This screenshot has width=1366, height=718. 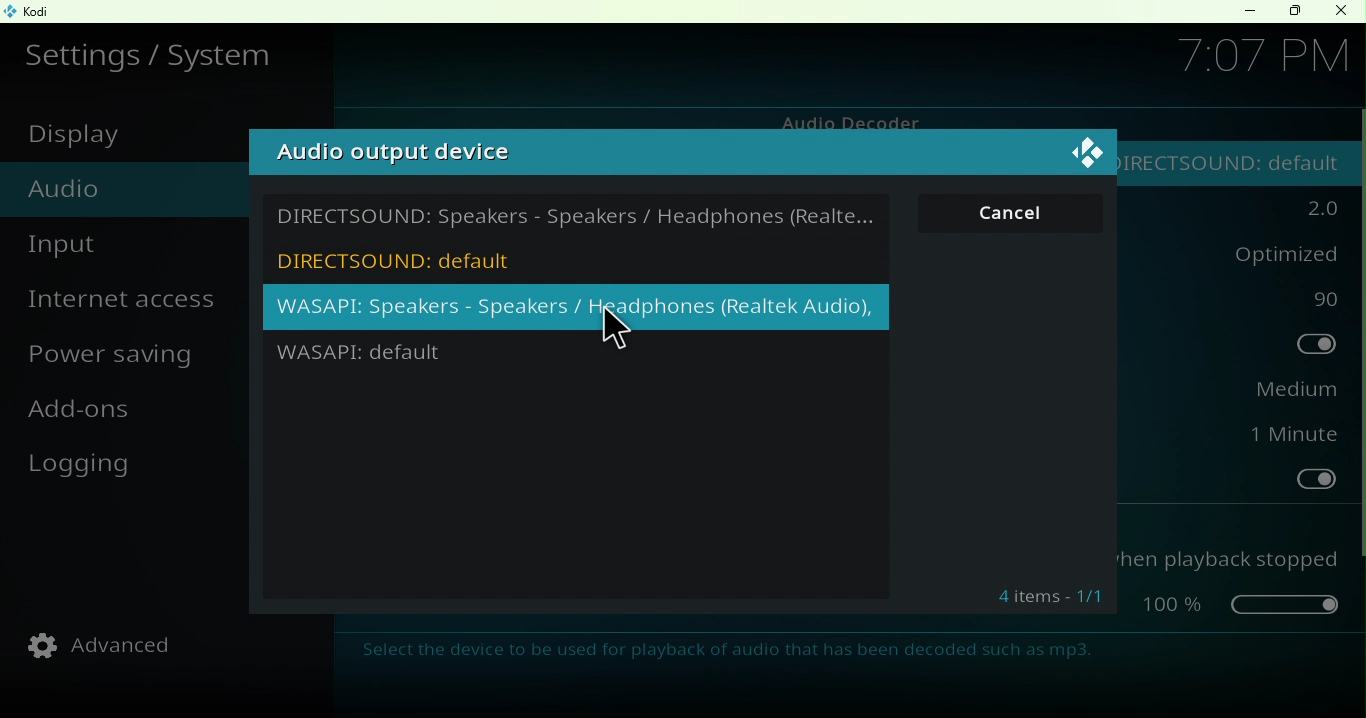 I want to click on Logging, so click(x=84, y=474).